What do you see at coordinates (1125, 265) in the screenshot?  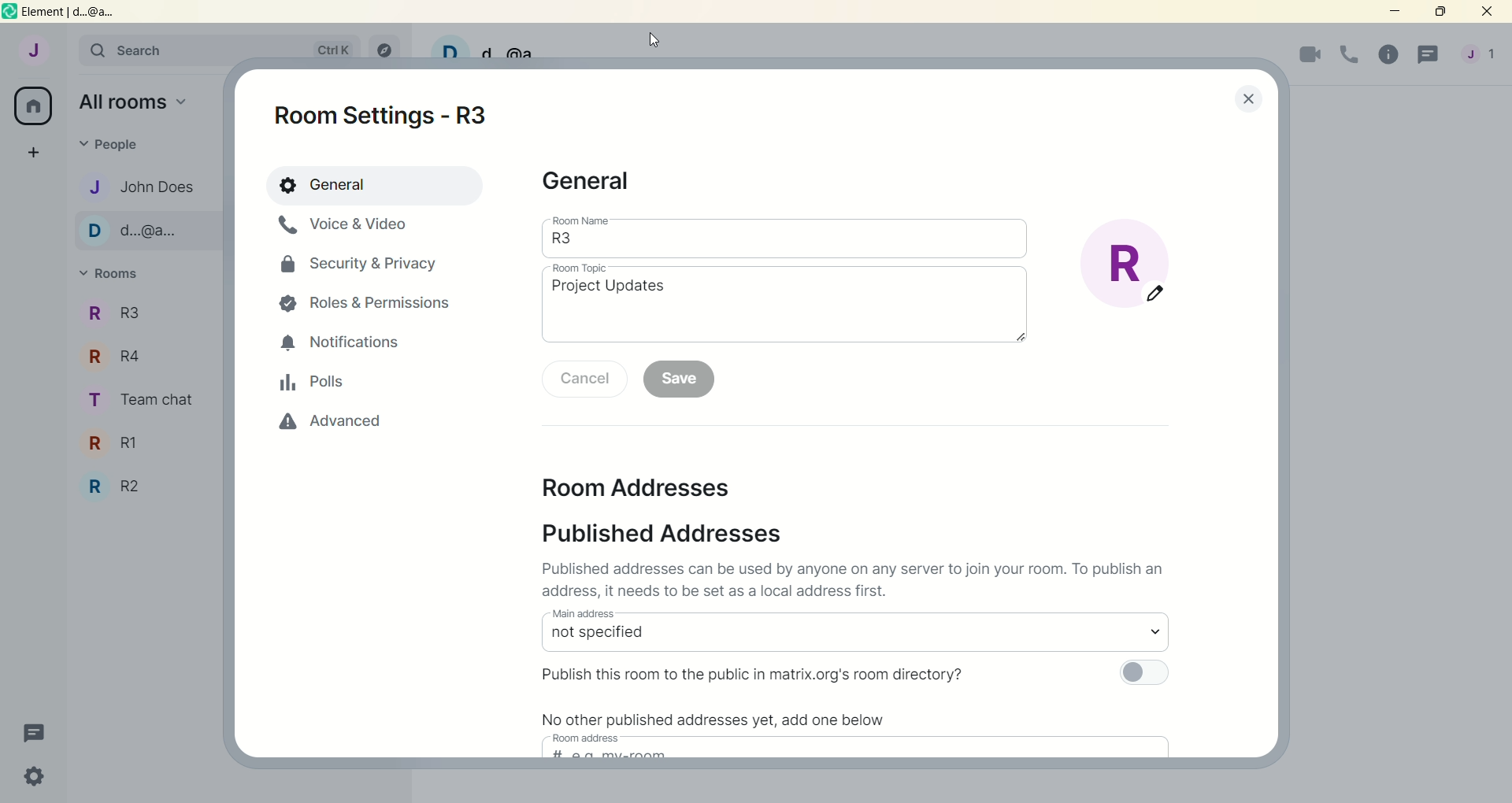 I see `edit room display picture` at bounding box center [1125, 265].